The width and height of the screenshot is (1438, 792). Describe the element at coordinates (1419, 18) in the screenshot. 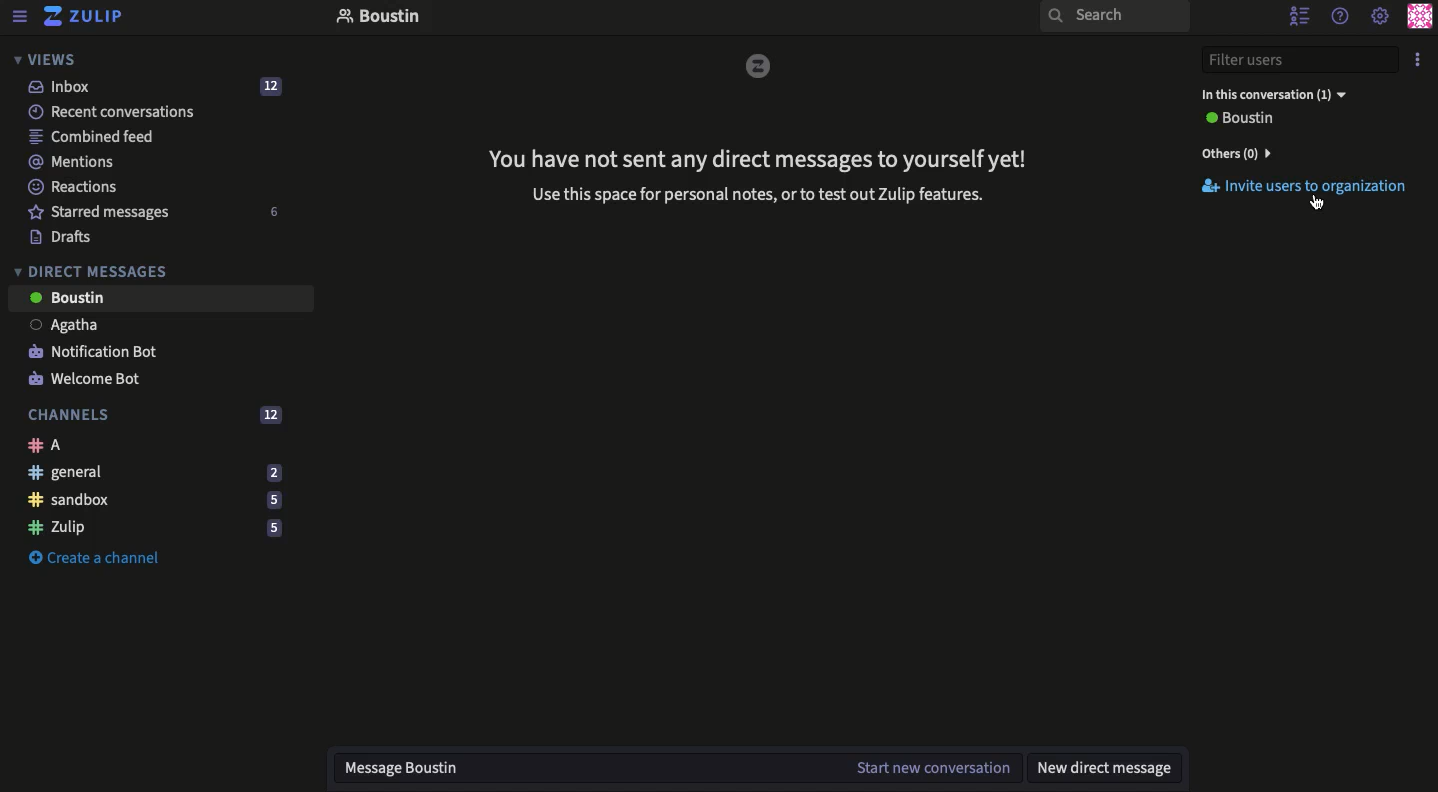

I see `Profile` at that location.